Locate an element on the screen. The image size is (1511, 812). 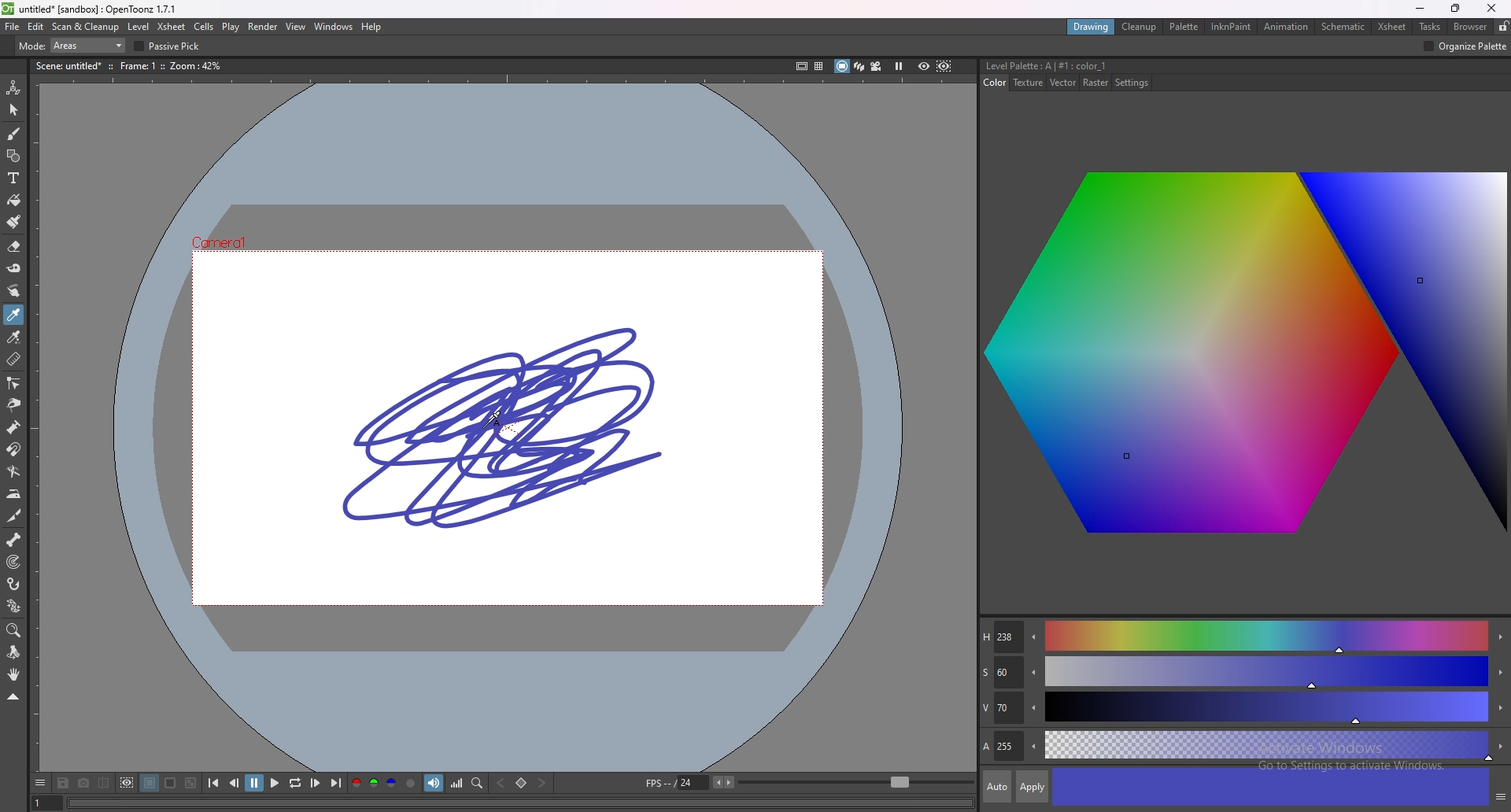
rotate selection right is located at coordinates (875, 46).